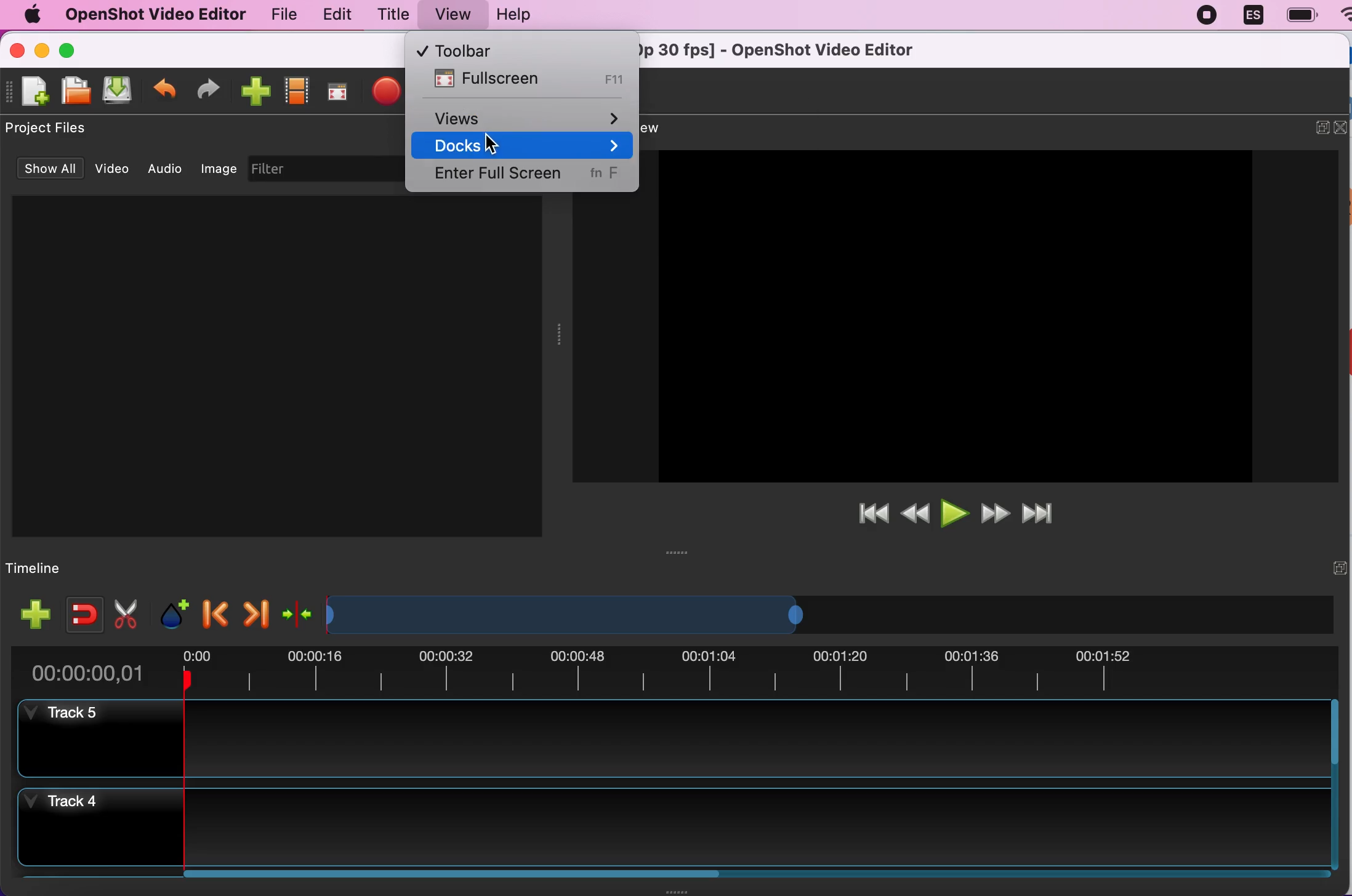 This screenshot has height=896, width=1352. I want to click on edit, so click(332, 14).